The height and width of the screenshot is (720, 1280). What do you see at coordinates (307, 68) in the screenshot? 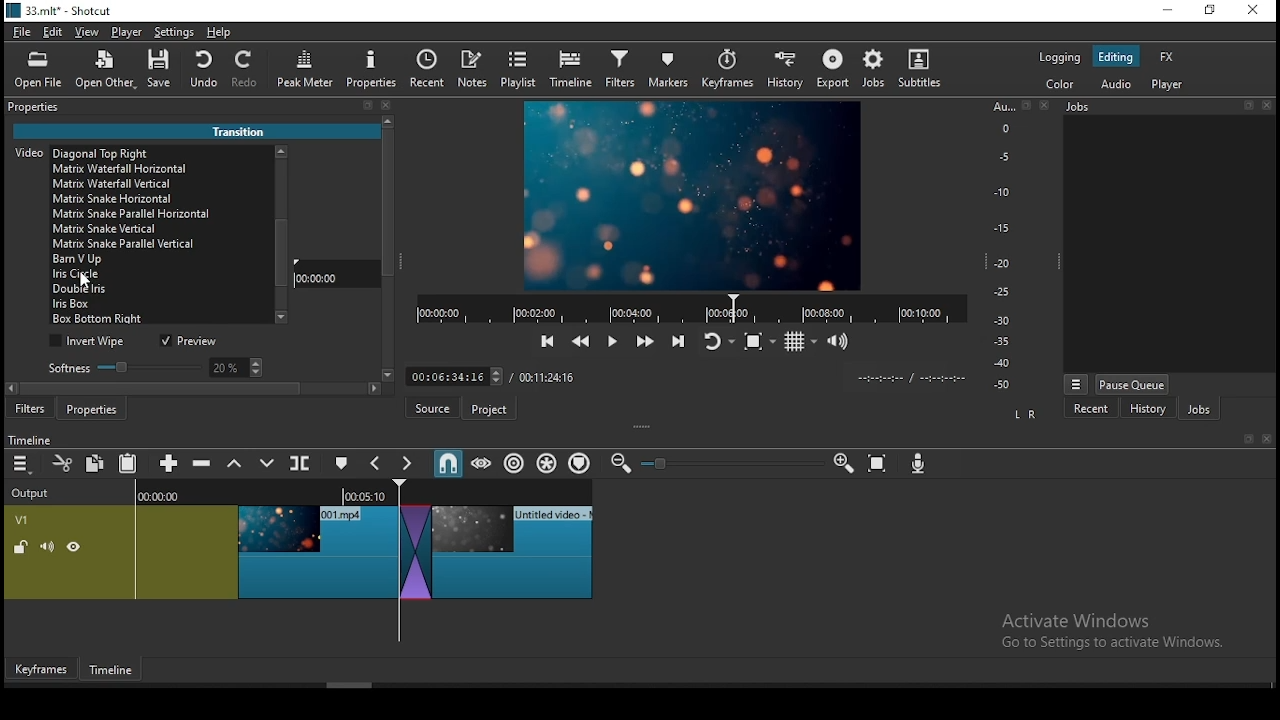
I see `peak meter` at bounding box center [307, 68].